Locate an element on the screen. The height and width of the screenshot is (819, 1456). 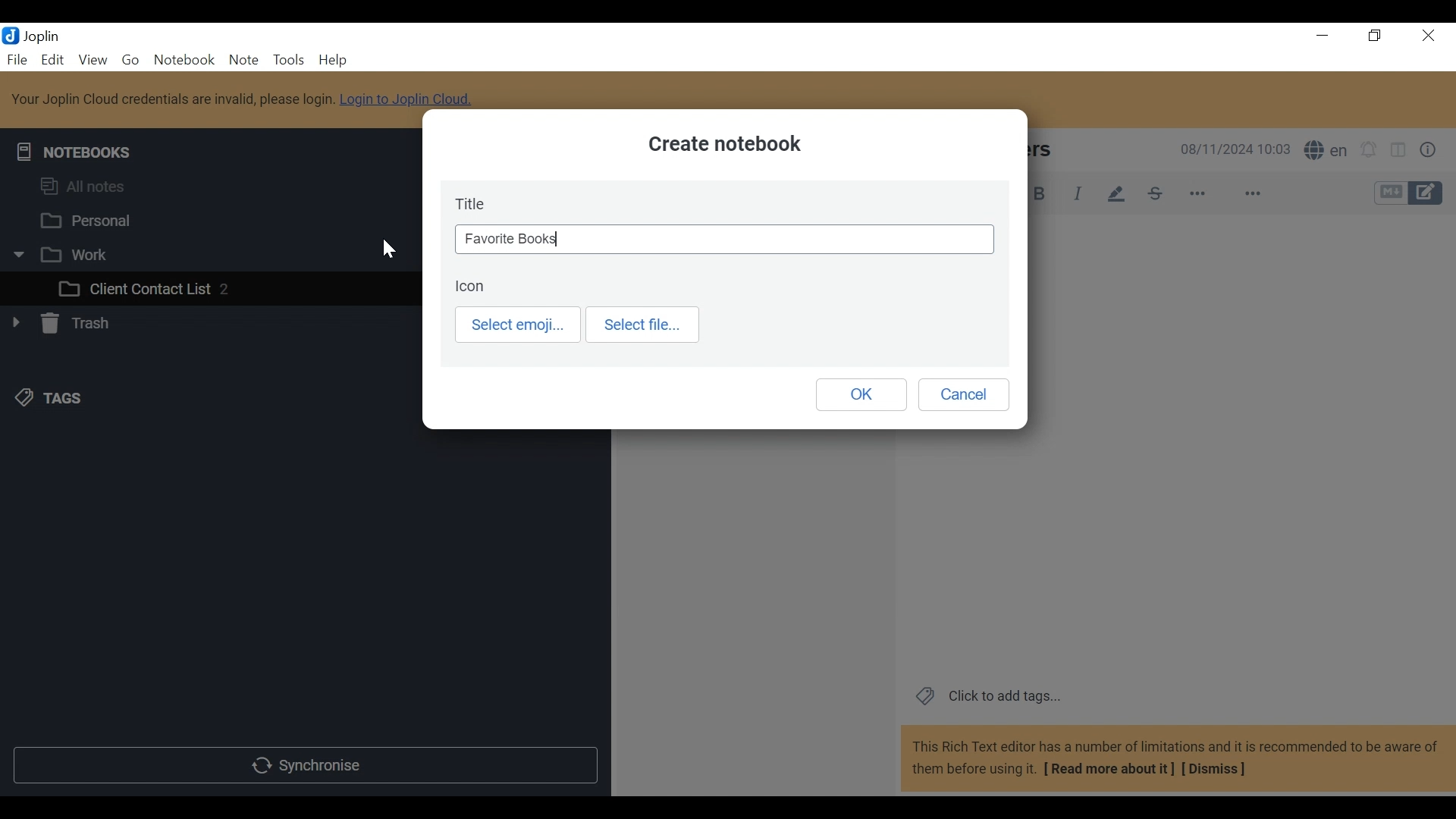
cursor is located at coordinates (388, 249).